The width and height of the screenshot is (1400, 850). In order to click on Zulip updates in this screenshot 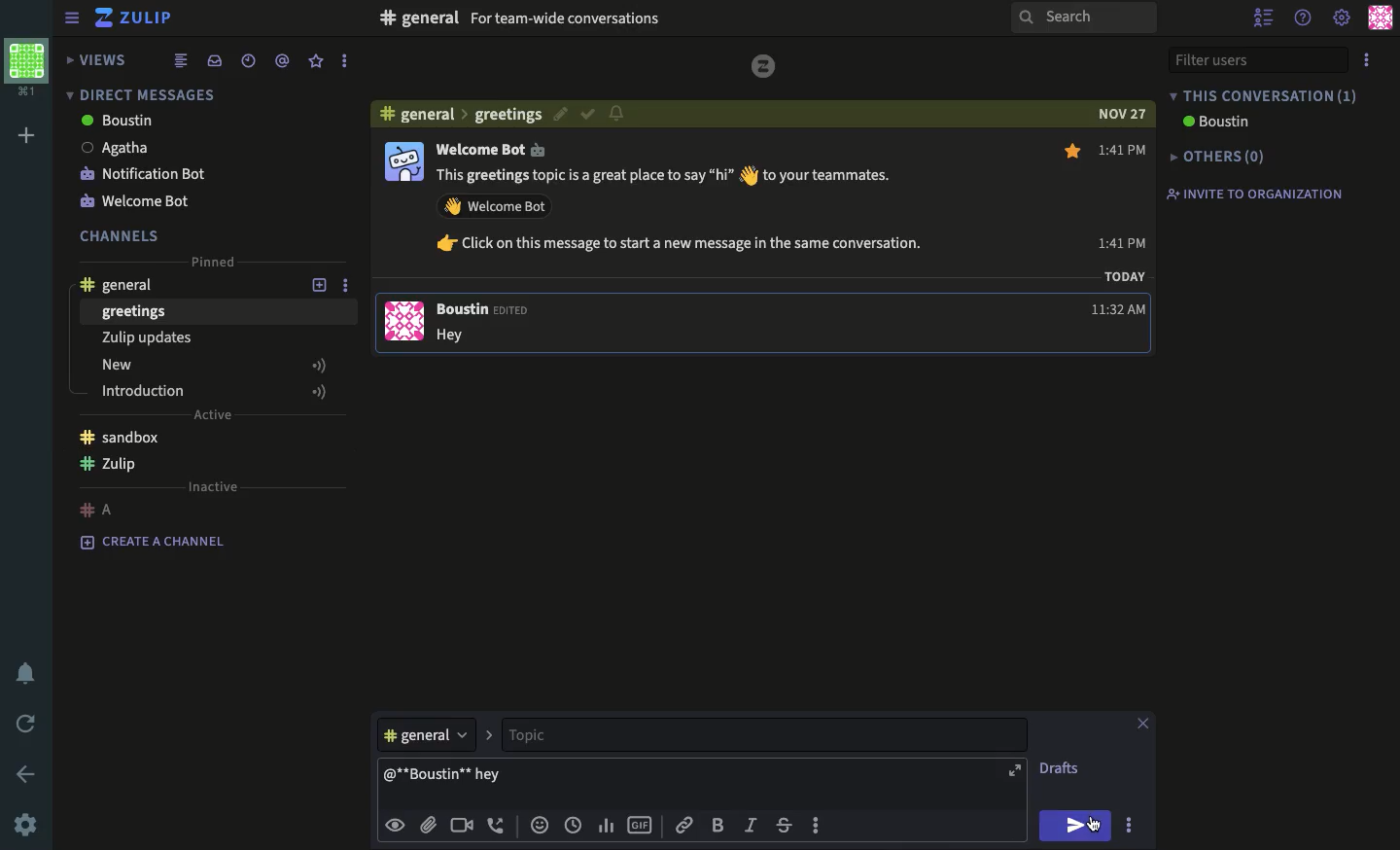, I will do `click(145, 337)`.